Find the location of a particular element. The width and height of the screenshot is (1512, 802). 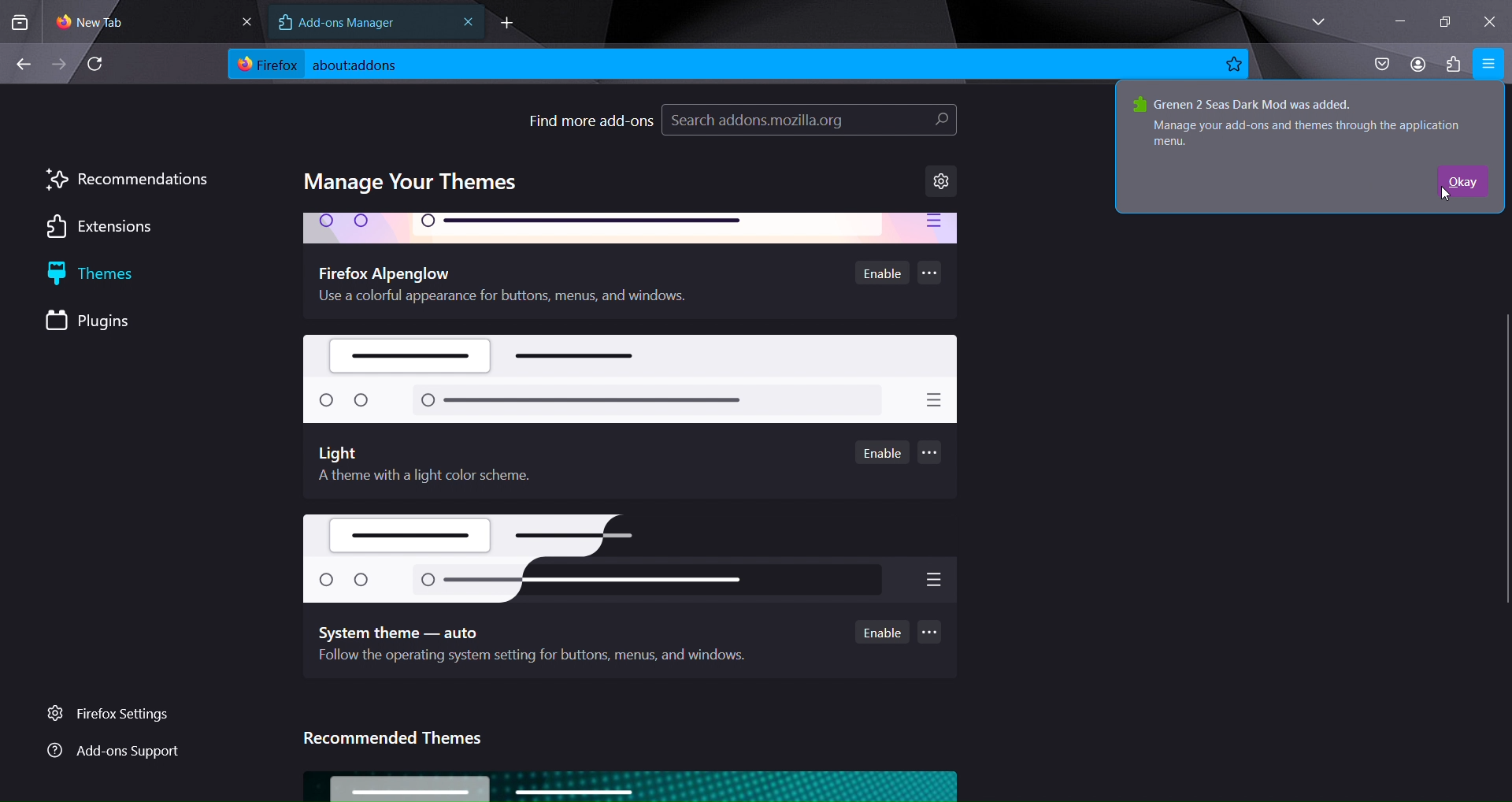

about:addons is located at coordinates (382, 65).